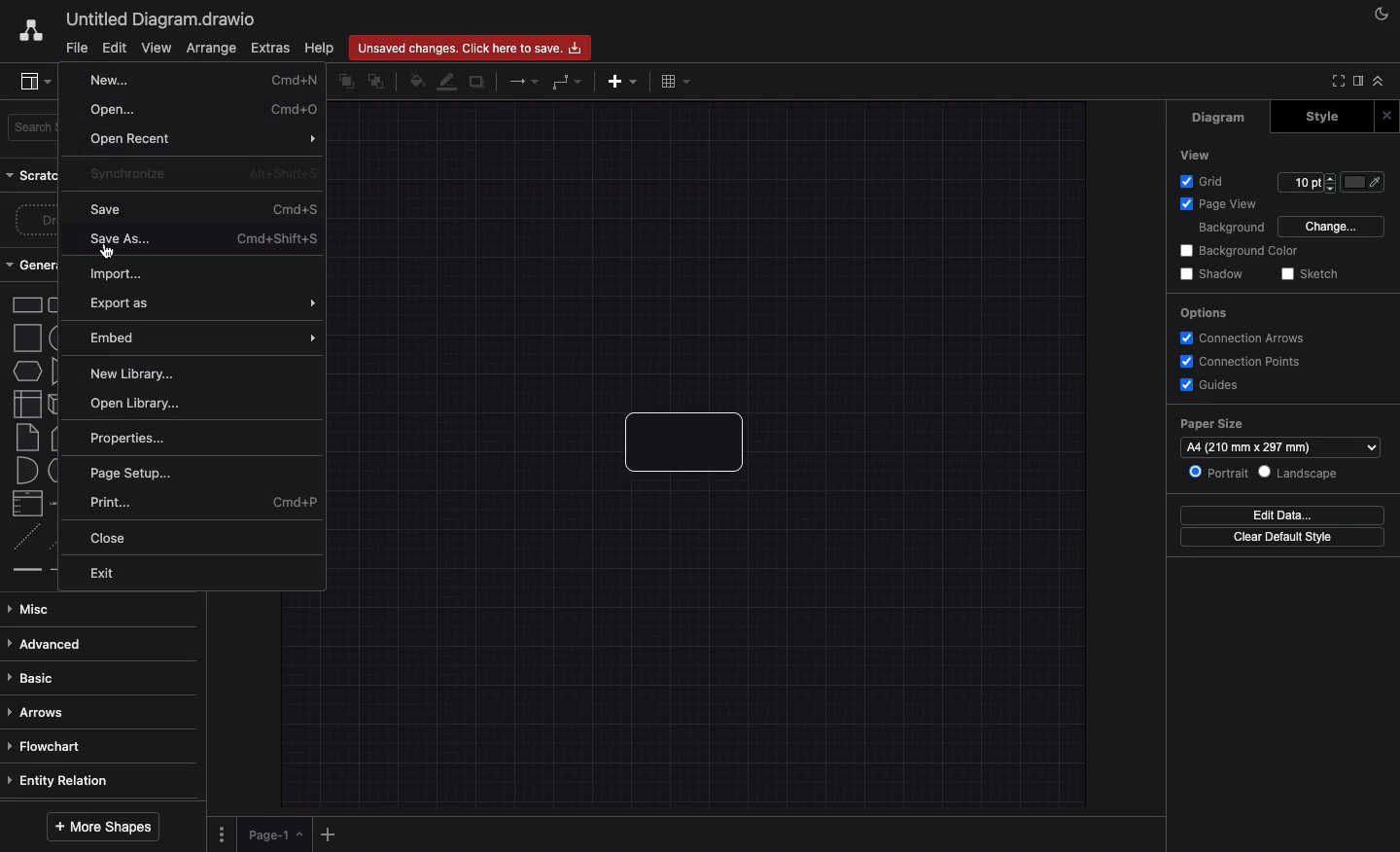 Image resolution: width=1400 pixels, height=852 pixels. What do you see at coordinates (567, 83) in the screenshot?
I see `Waypoints` at bounding box center [567, 83].